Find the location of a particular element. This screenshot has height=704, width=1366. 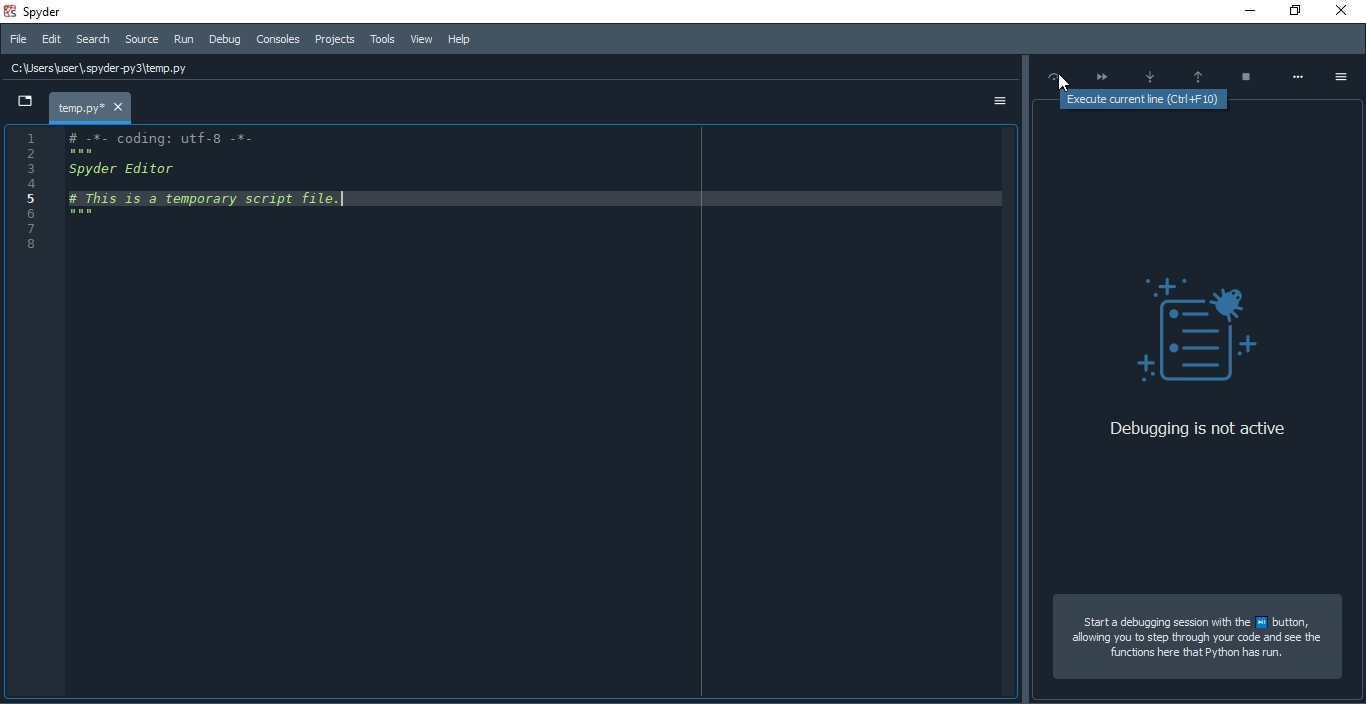

Start a debugging session with the # button,
allowing you to step through your code and see the
functions here that Python has run. is located at coordinates (1196, 638).